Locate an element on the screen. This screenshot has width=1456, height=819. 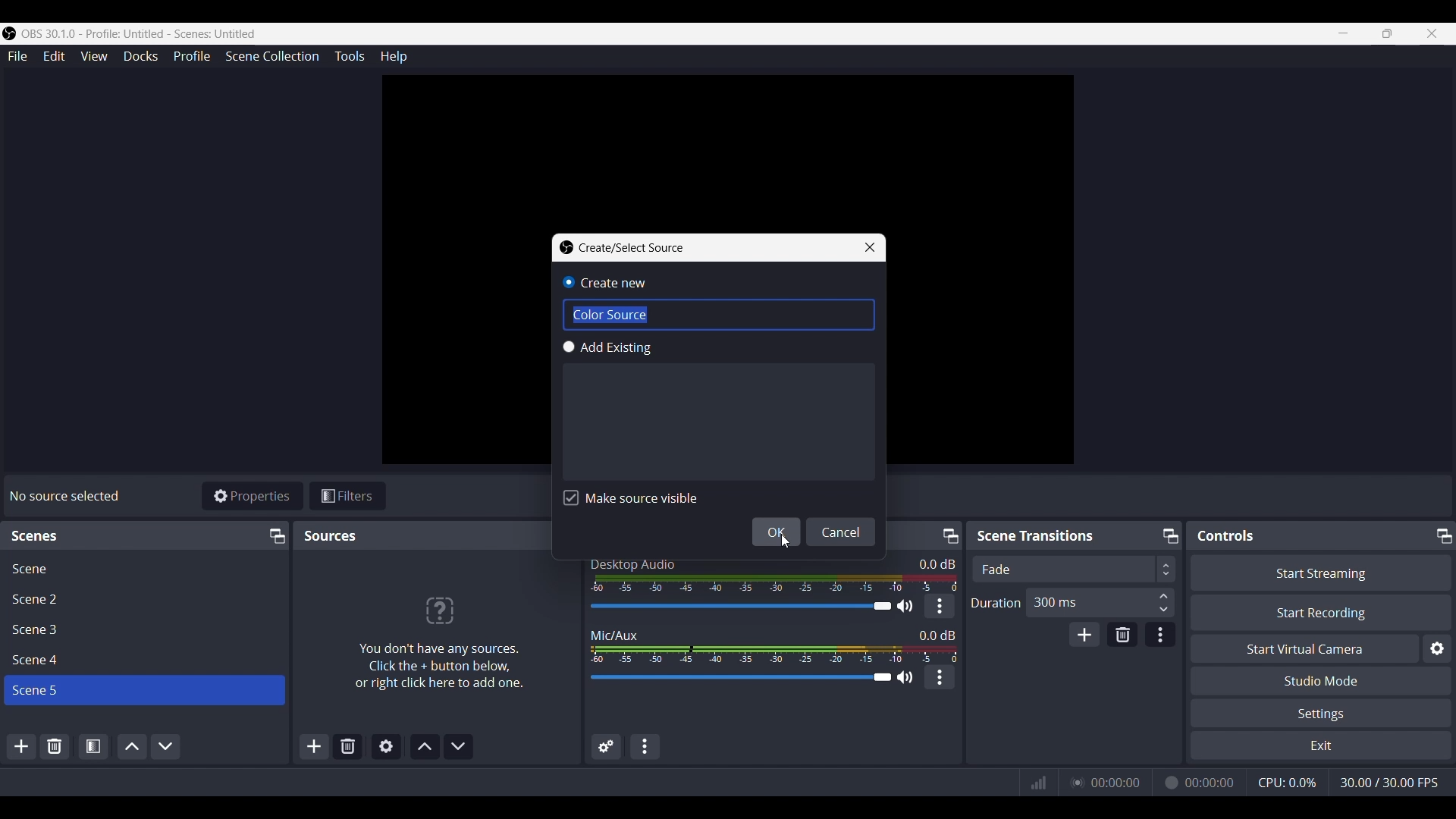
Text is located at coordinates (610, 315).